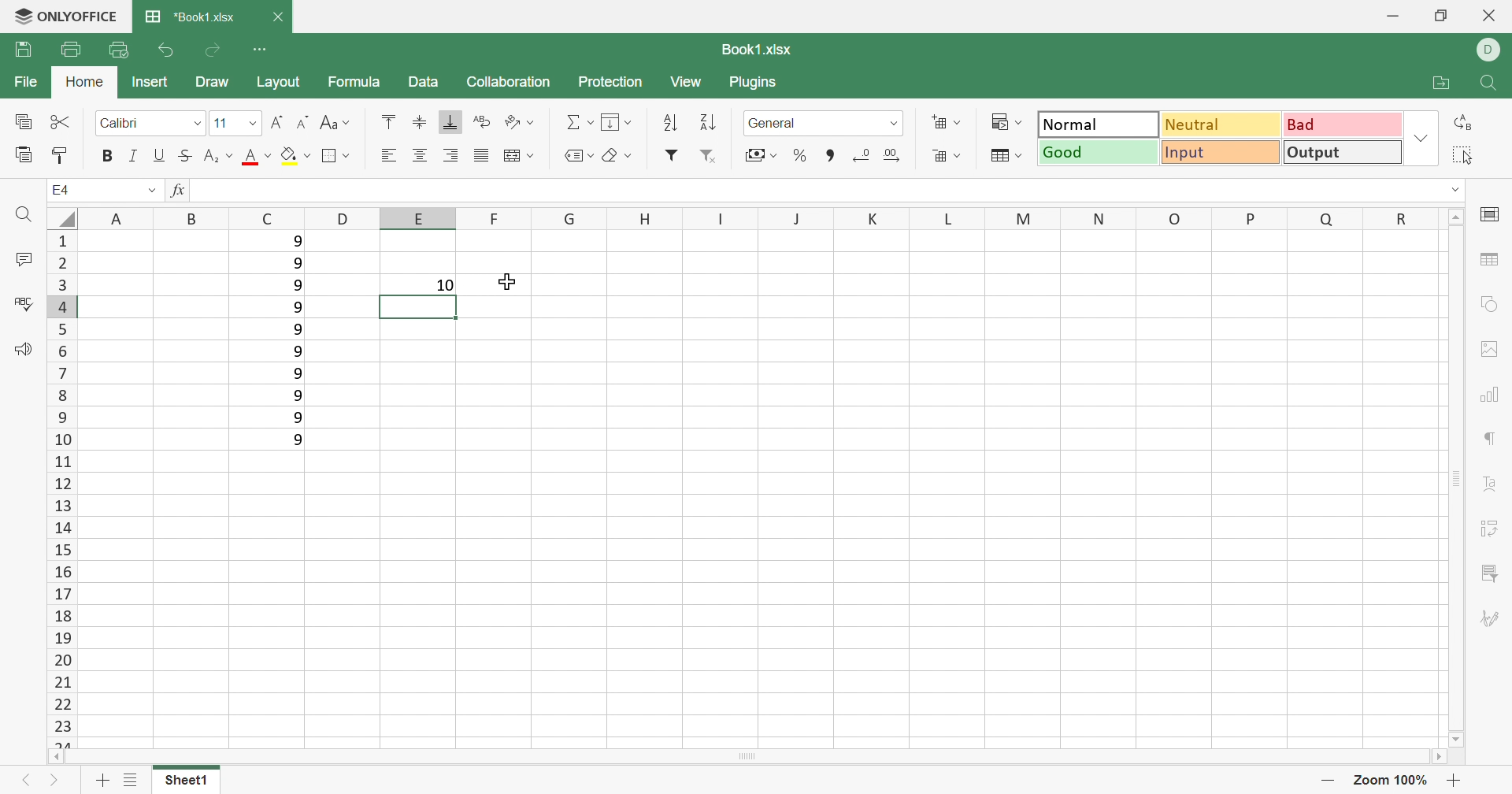 This screenshot has height=794, width=1512. I want to click on fx, so click(182, 189).